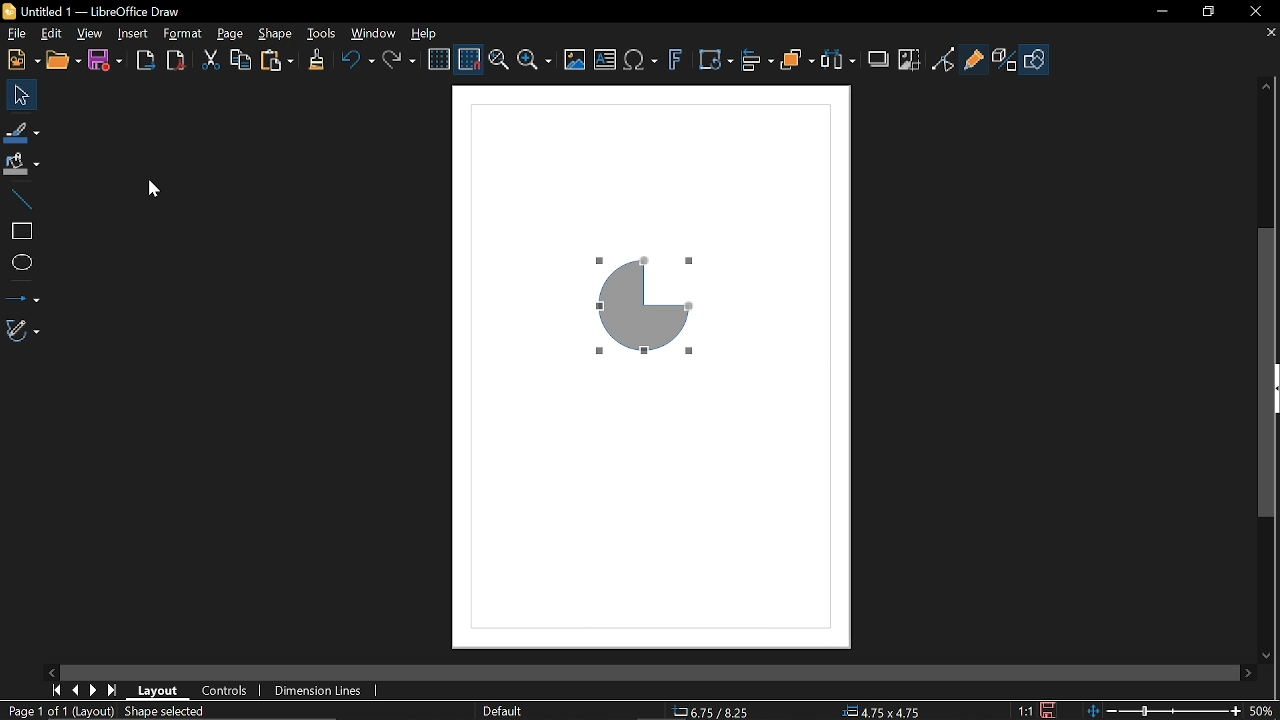 This screenshot has height=720, width=1280. Describe the element at coordinates (78, 688) in the screenshot. I see `Previous page` at that location.